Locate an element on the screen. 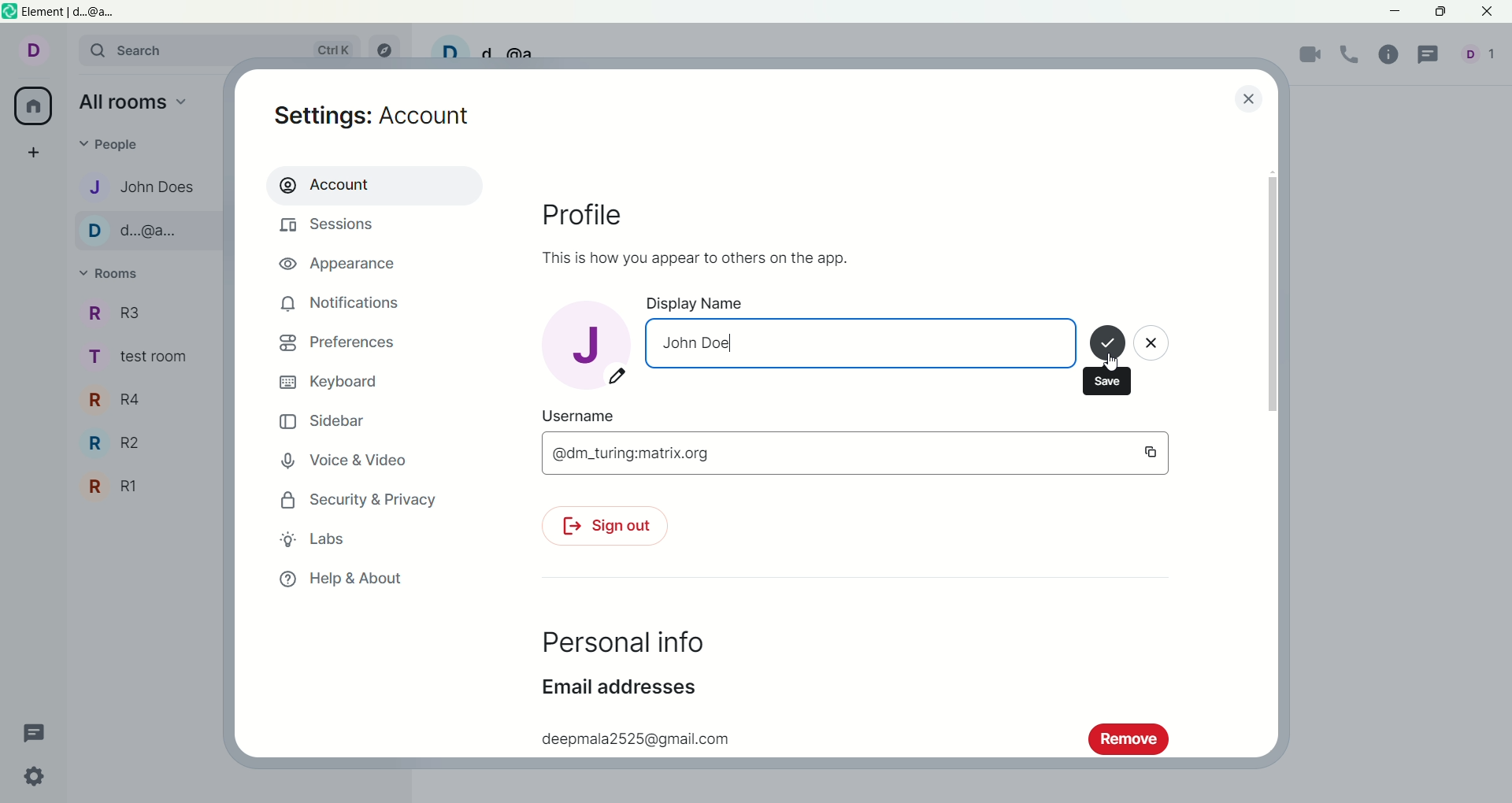  cursor is located at coordinates (732, 345).